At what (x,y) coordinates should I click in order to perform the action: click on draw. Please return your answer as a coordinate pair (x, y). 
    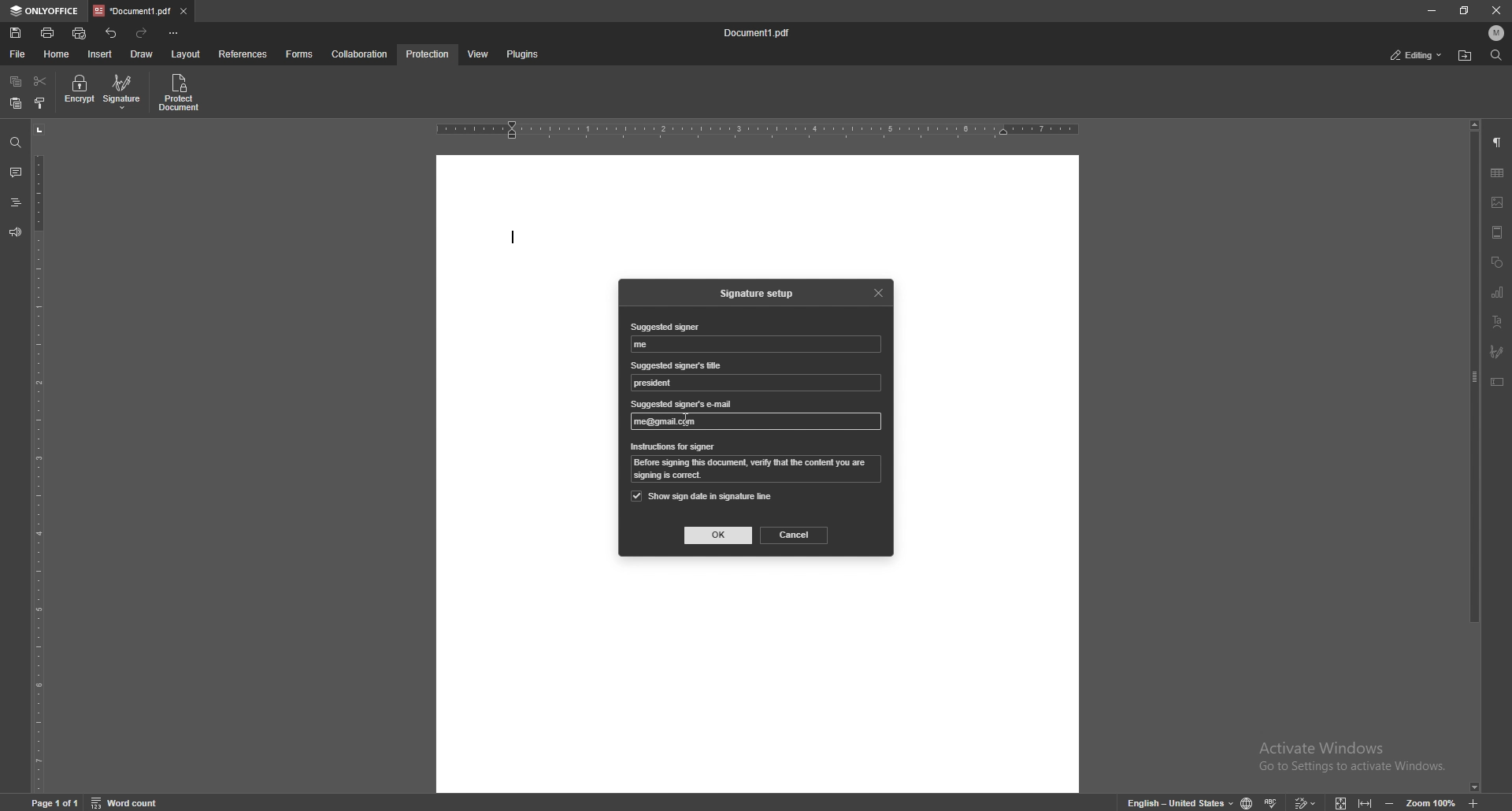
    Looking at the image, I should click on (142, 54).